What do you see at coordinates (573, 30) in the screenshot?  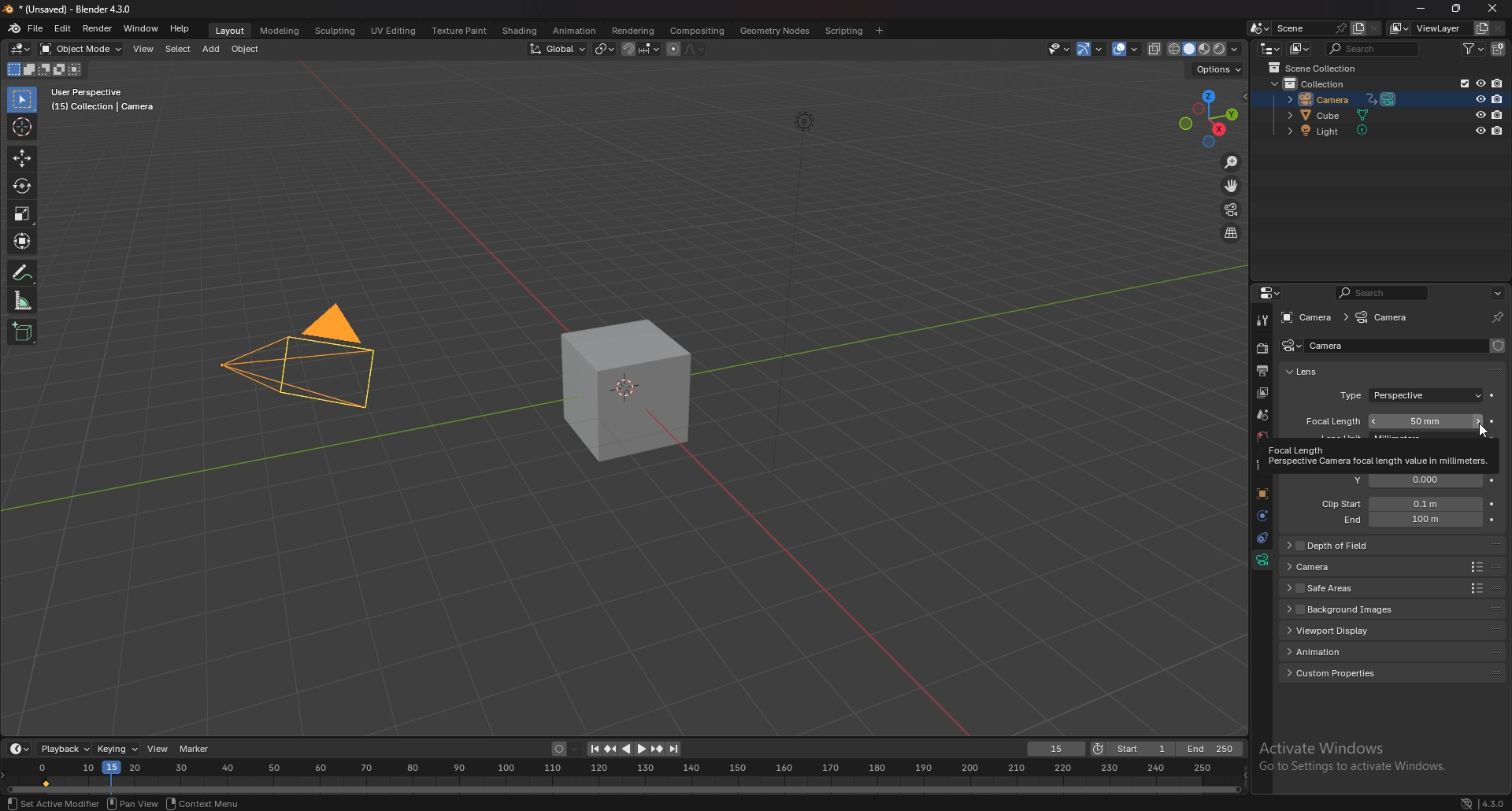 I see `animation` at bounding box center [573, 30].